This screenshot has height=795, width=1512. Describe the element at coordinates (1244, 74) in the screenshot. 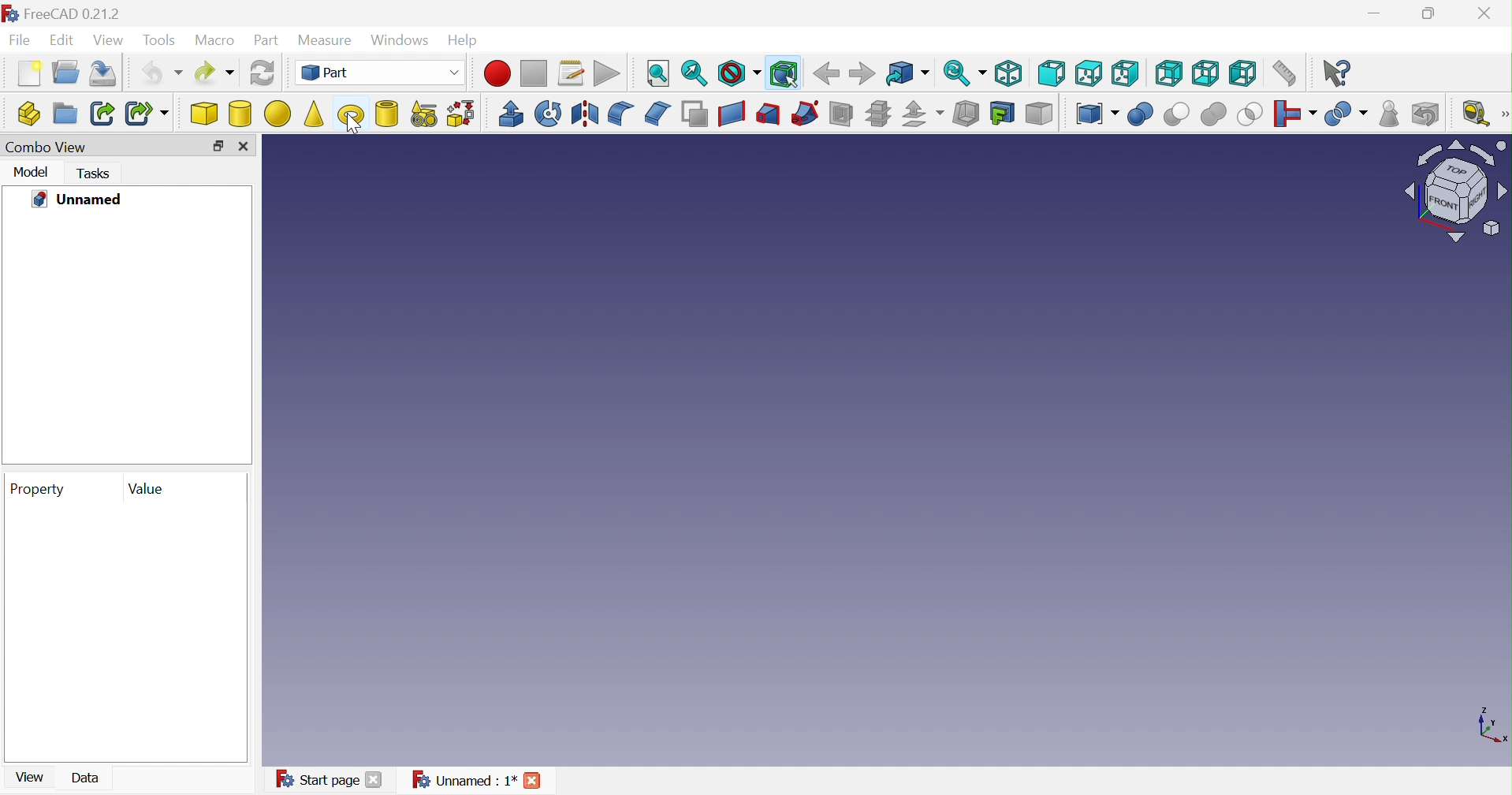

I see `Left` at that location.